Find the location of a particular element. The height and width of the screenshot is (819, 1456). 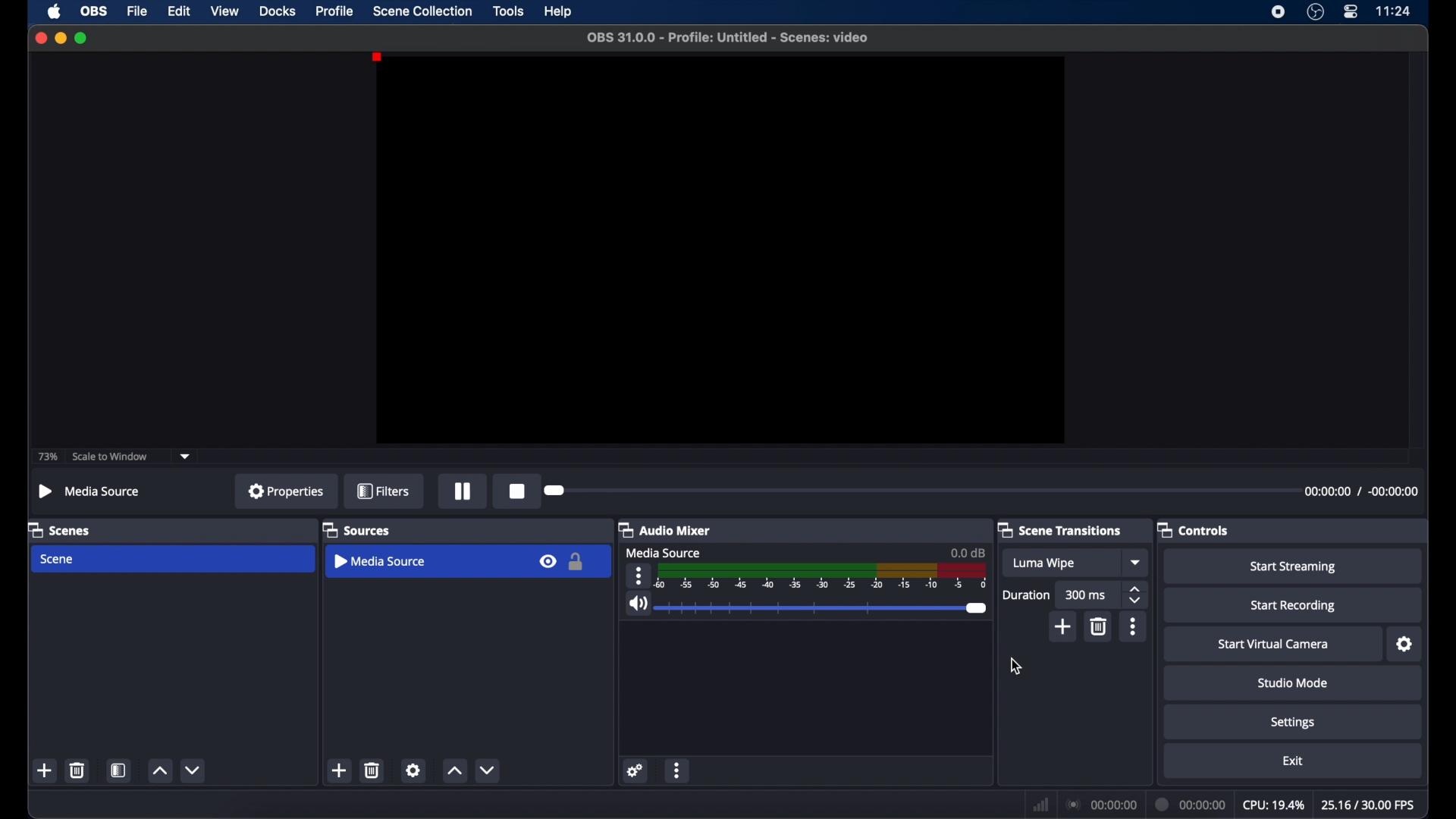

view is located at coordinates (226, 11).